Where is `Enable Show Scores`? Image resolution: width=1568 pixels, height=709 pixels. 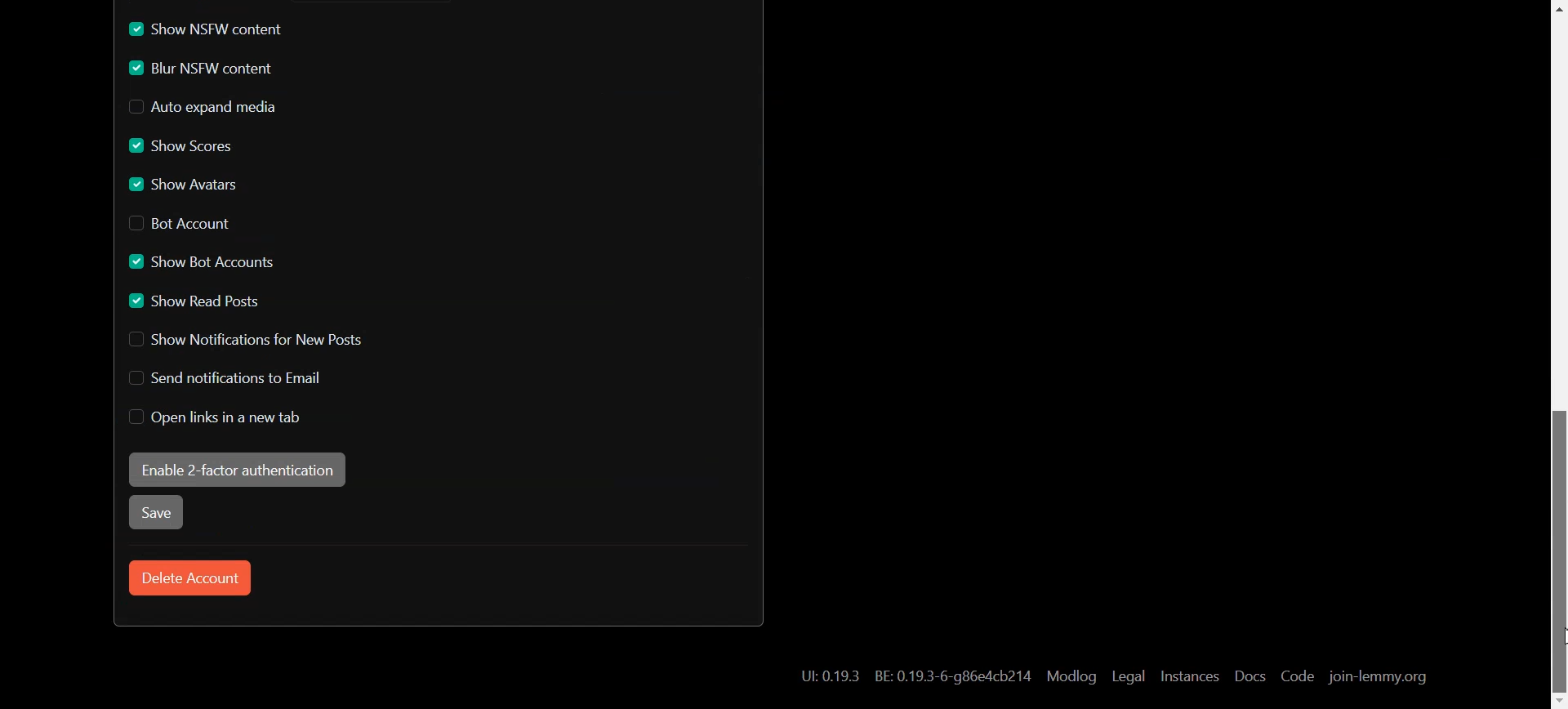
Enable Show Scores is located at coordinates (181, 145).